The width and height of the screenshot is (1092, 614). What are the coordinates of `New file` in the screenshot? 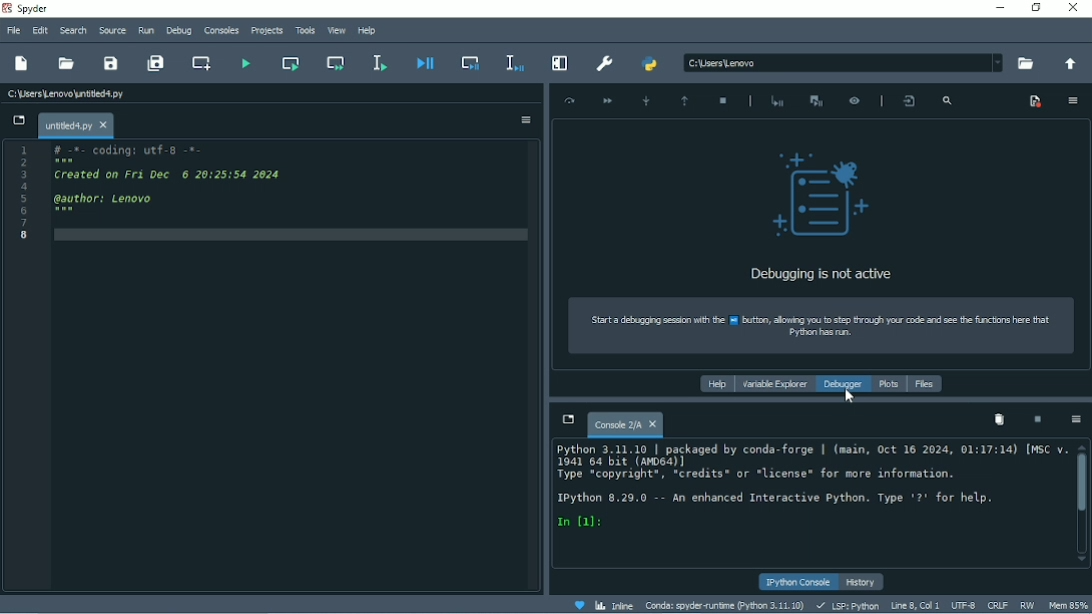 It's located at (21, 63).